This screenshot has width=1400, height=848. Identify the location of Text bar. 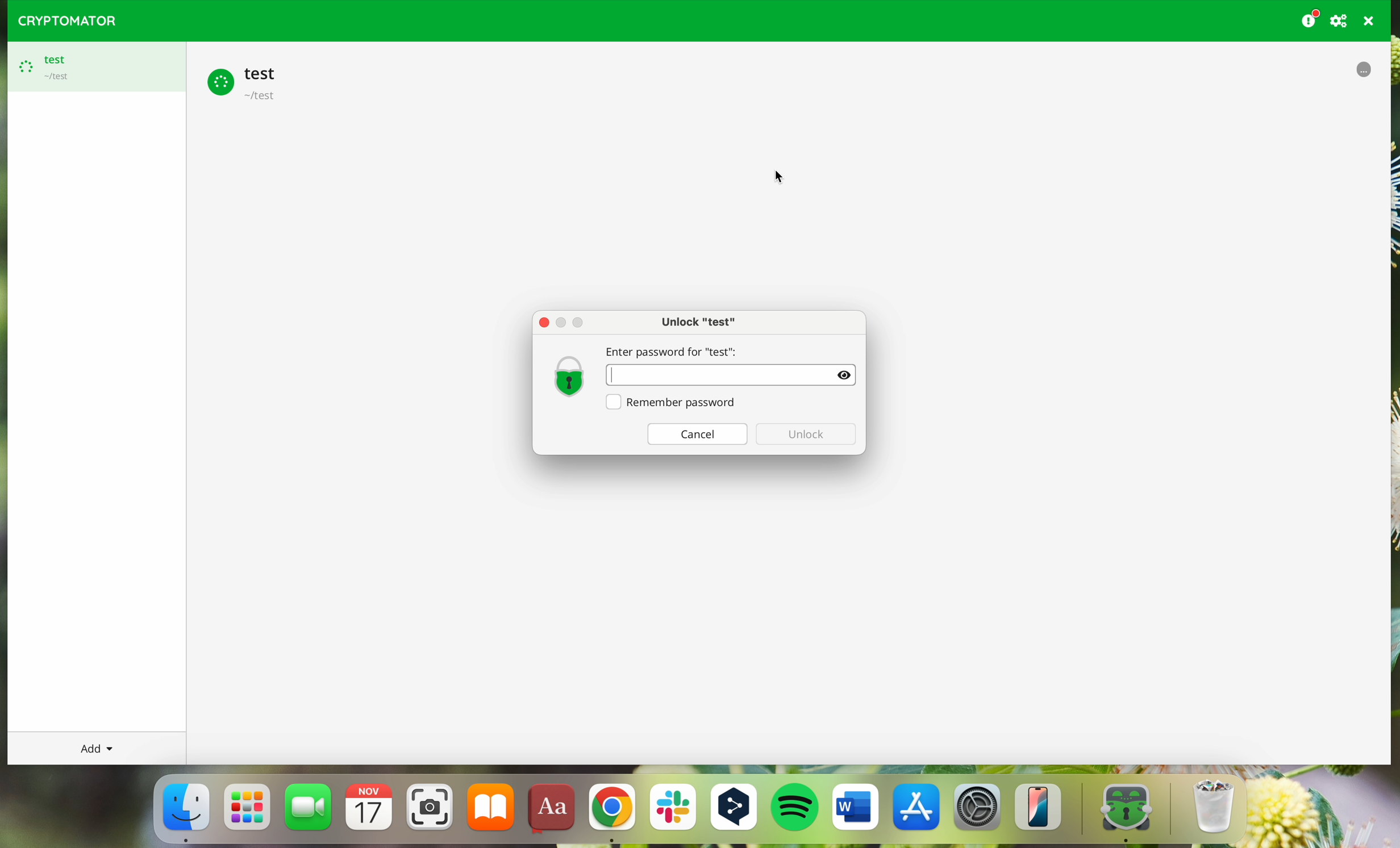
(734, 375).